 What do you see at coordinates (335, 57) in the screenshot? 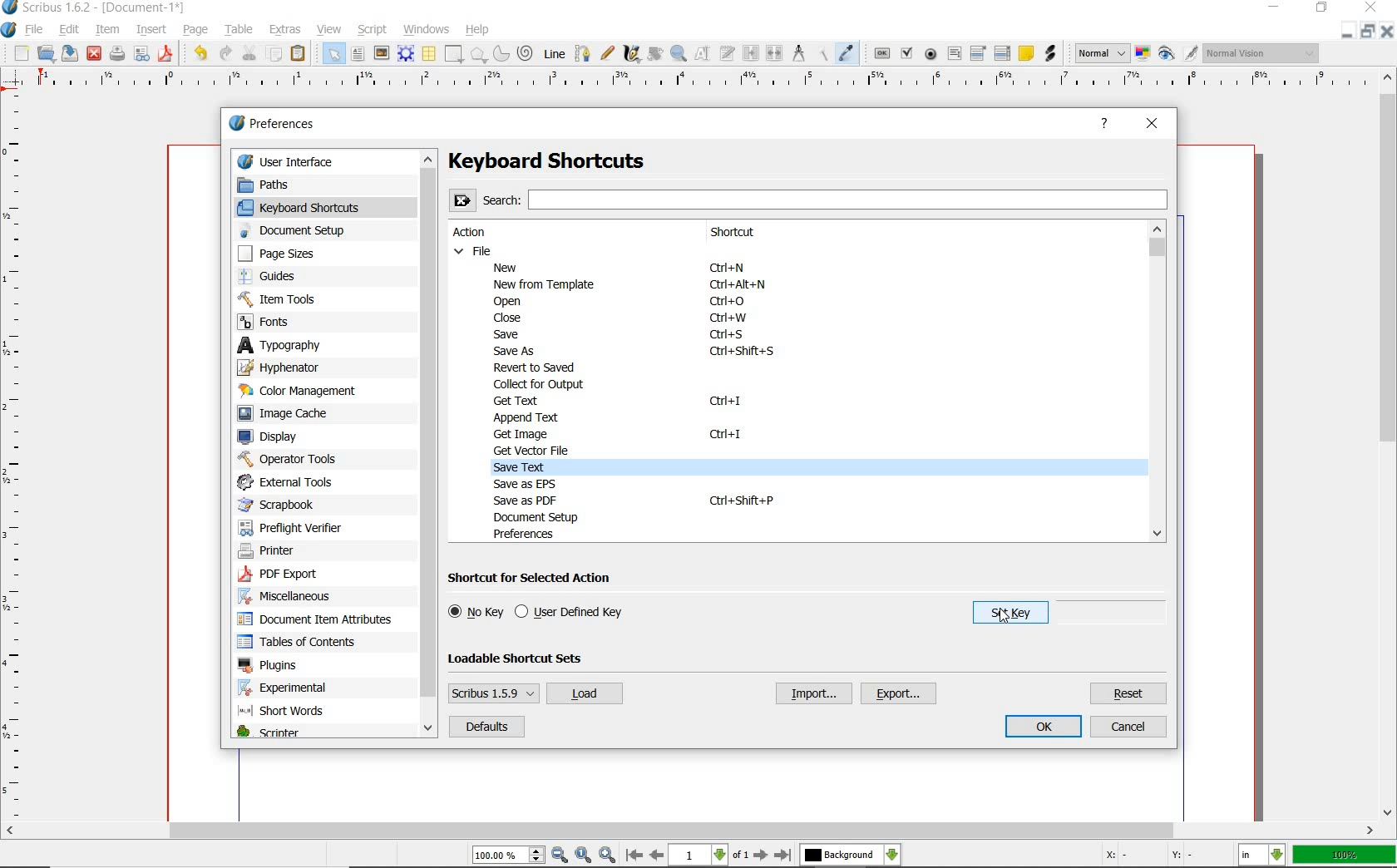
I see `select` at bounding box center [335, 57].